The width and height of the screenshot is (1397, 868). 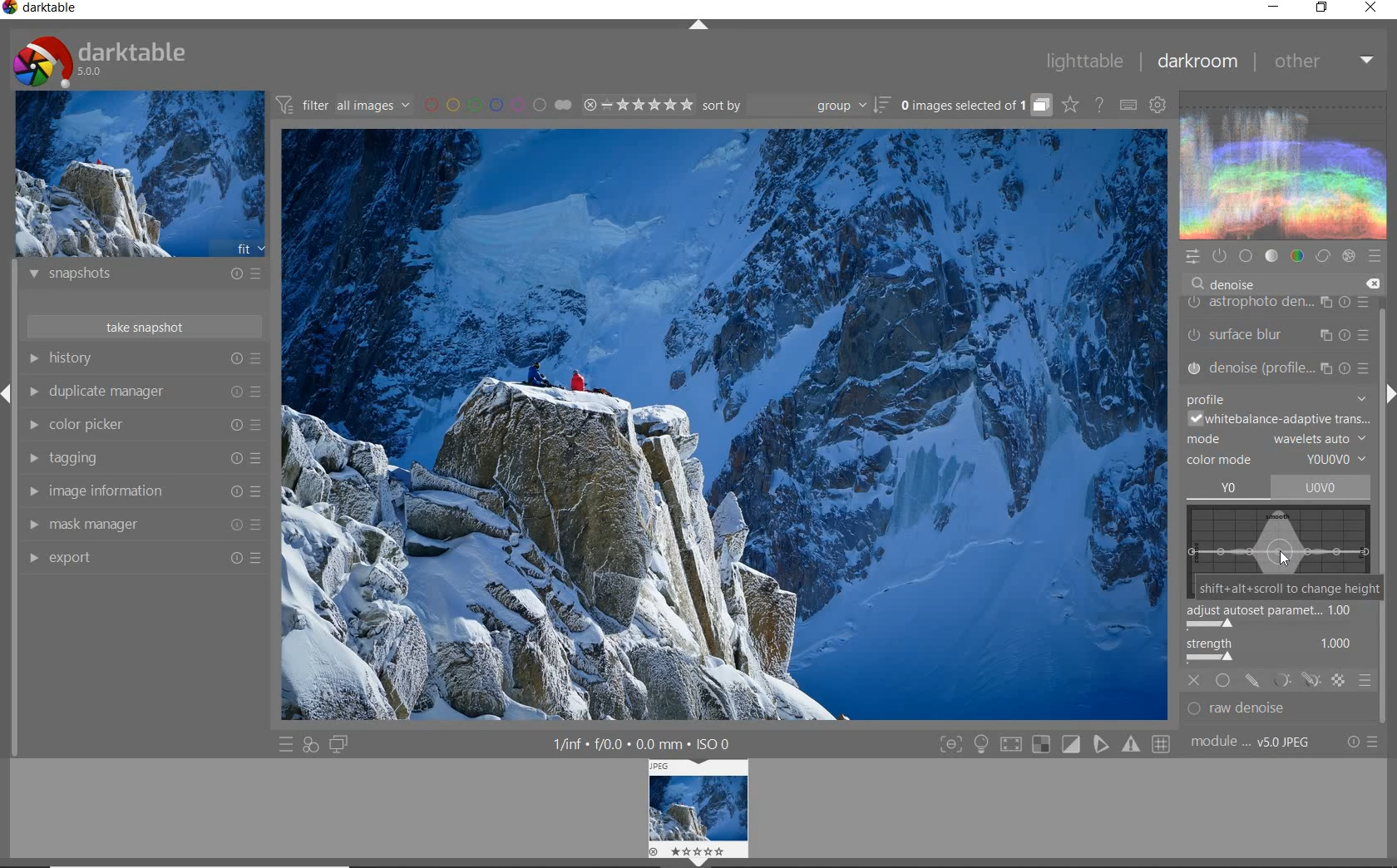 I want to click on quick access to presets, so click(x=286, y=745).